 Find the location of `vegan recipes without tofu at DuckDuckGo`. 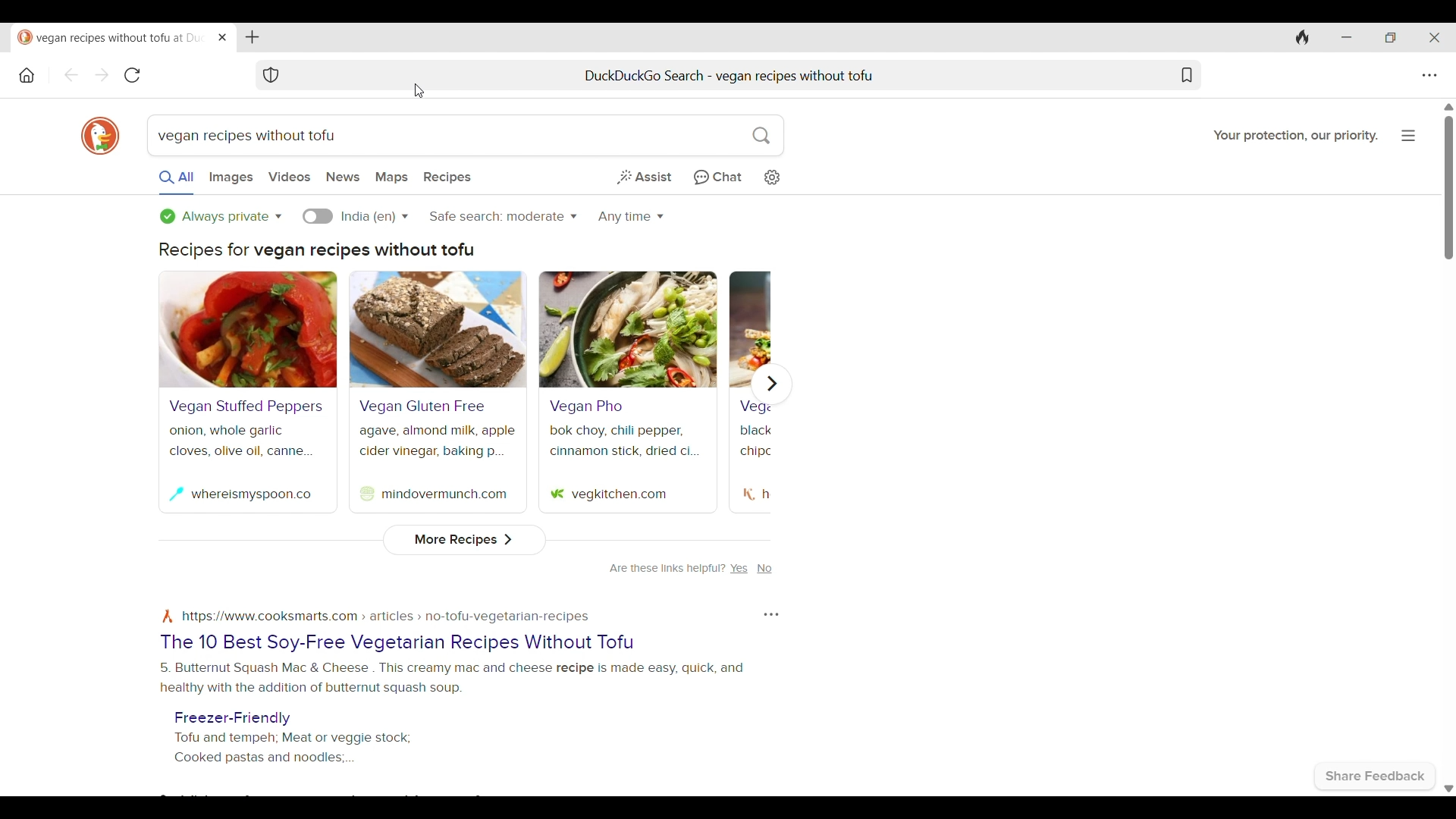

vegan recipes without tofu at DuckDuckGo is located at coordinates (112, 39).